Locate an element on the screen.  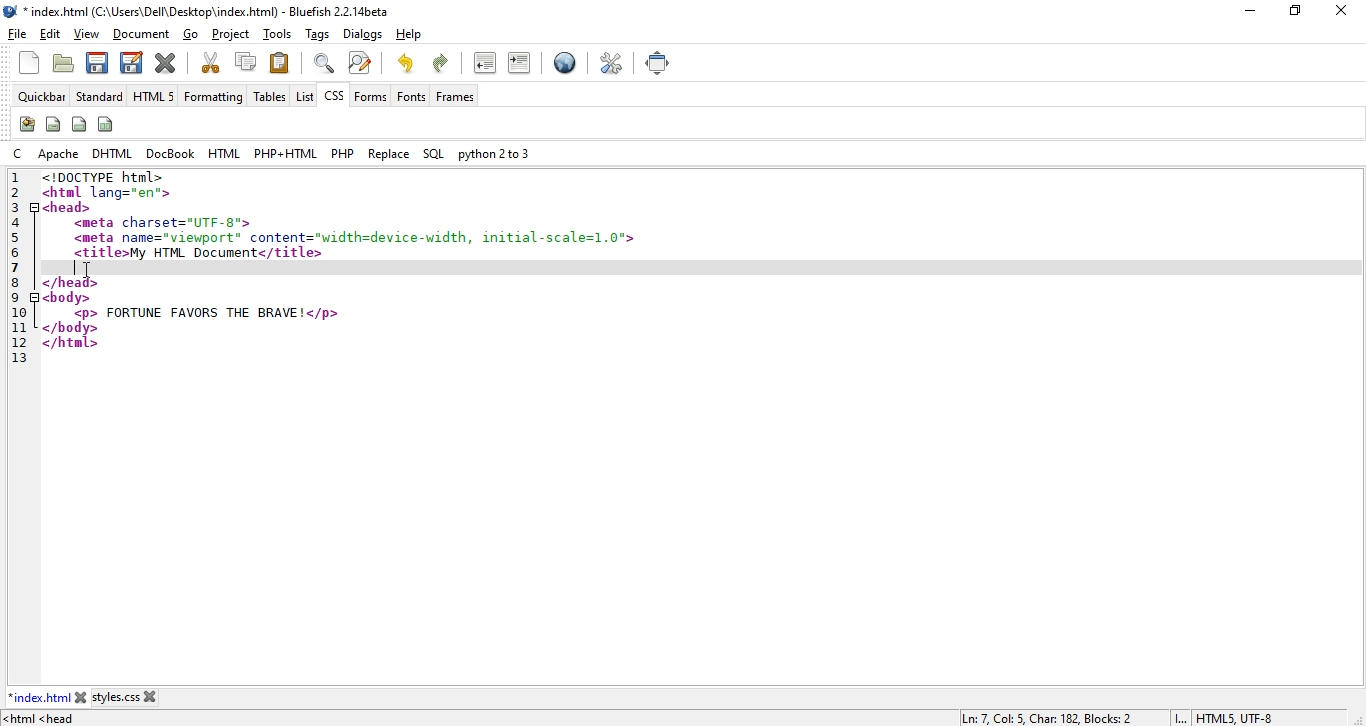
dhtml is located at coordinates (114, 154).